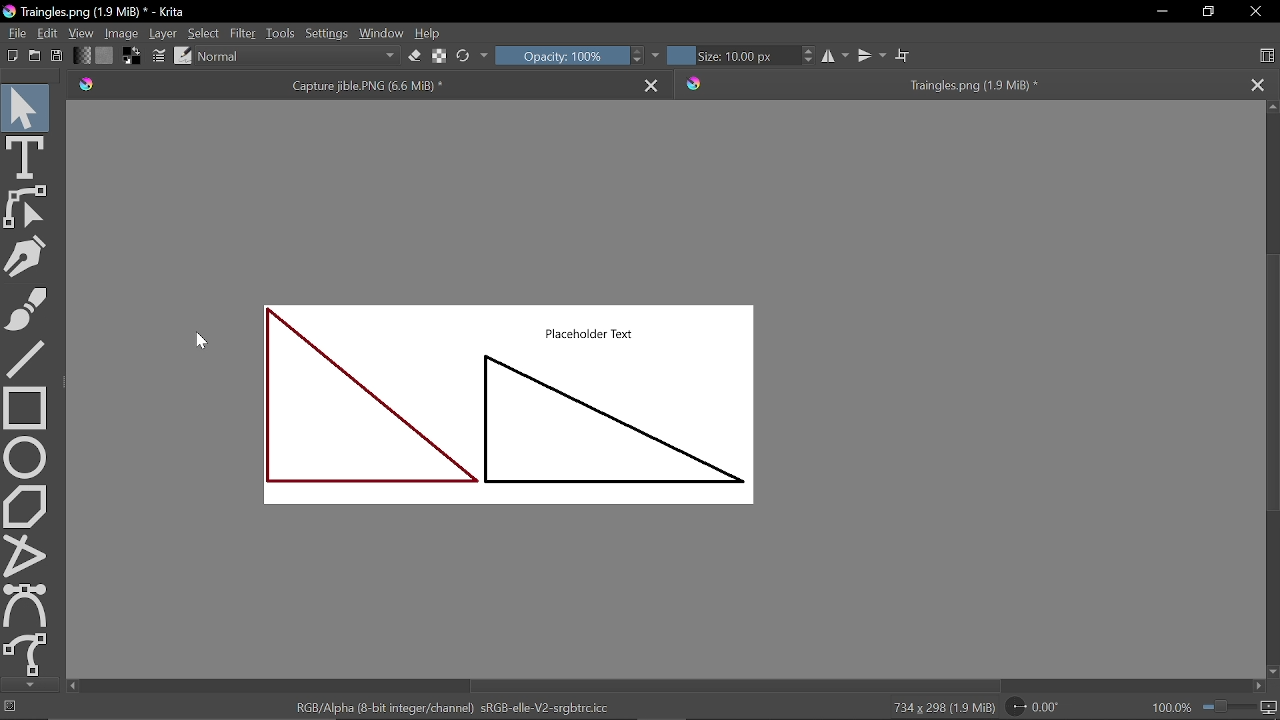  I want to click on Preserve alpha, so click(438, 58).